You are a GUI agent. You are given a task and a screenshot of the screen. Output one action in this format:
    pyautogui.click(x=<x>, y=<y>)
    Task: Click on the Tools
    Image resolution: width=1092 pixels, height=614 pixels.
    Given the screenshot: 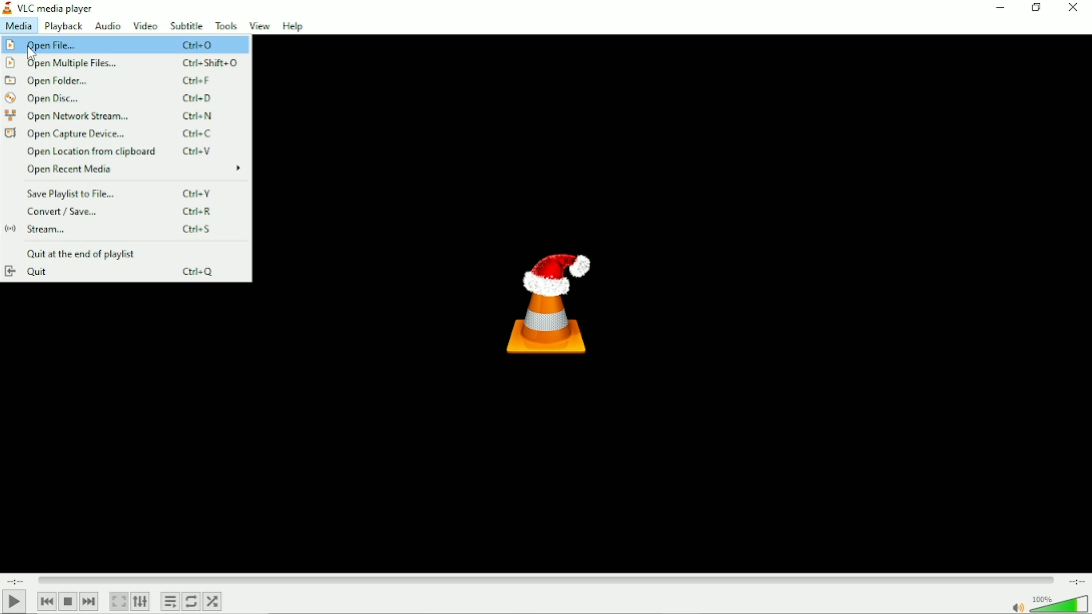 What is the action you would take?
    pyautogui.click(x=227, y=25)
    